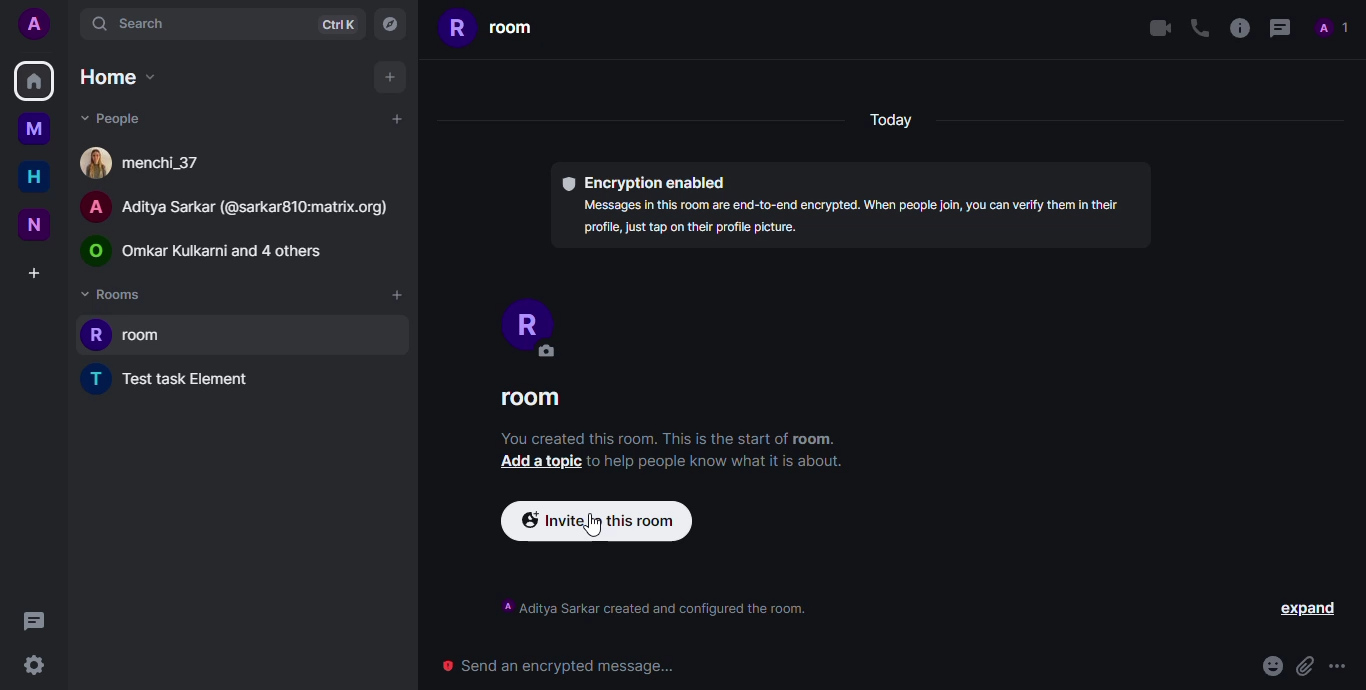  I want to click on to help people know what it is about., so click(718, 460).